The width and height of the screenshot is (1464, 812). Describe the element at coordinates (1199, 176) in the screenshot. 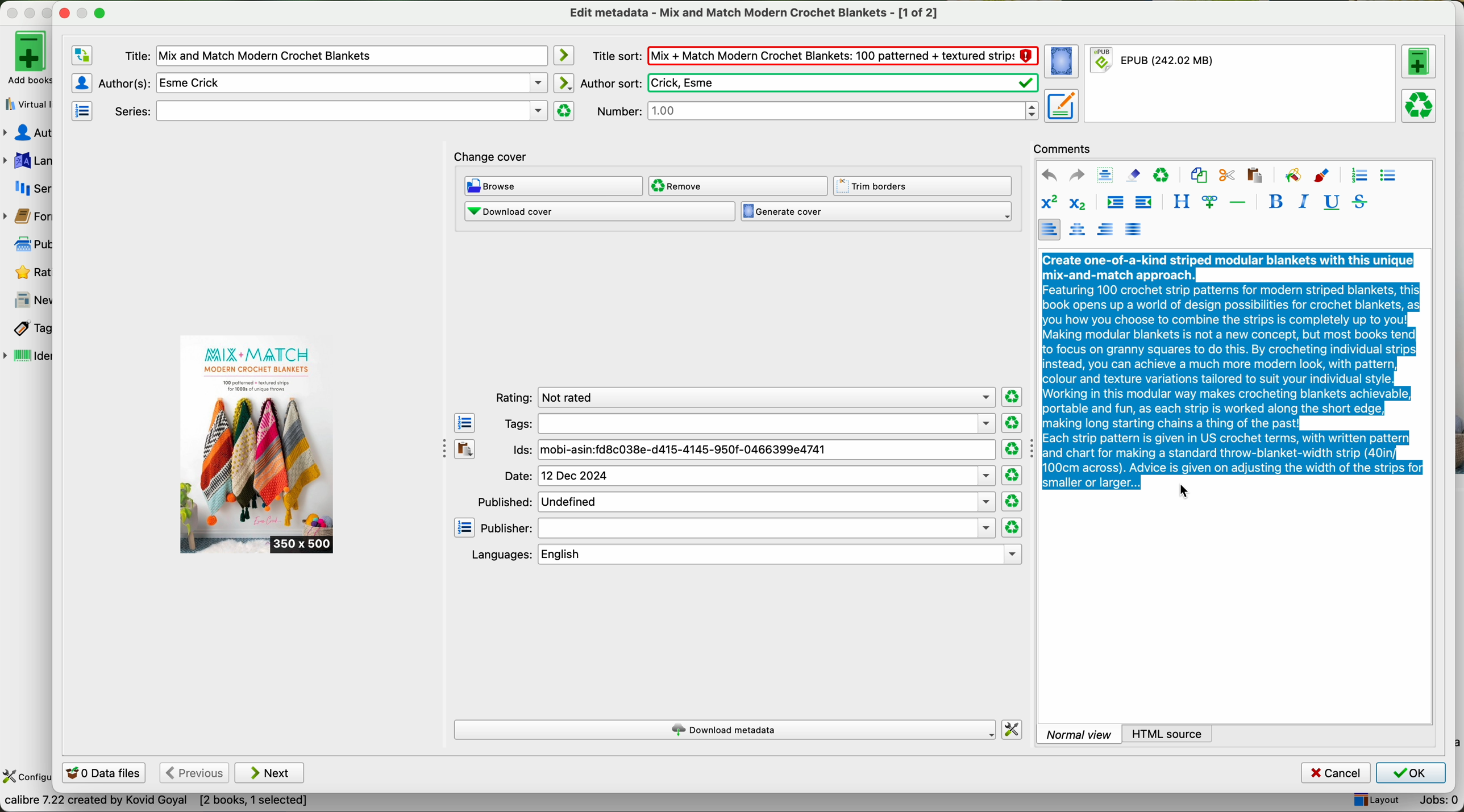

I see `copy` at that location.